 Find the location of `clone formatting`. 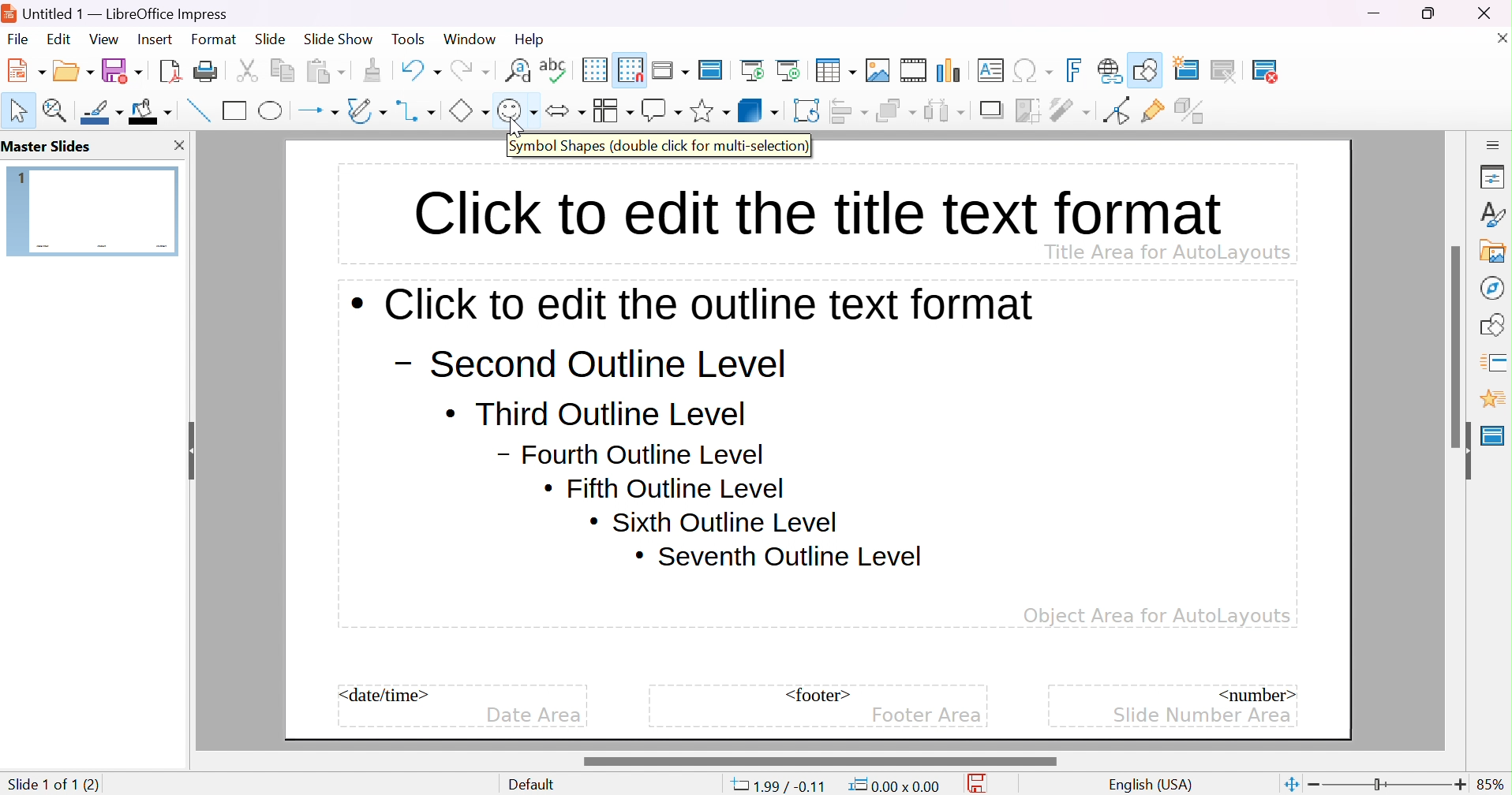

clone formatting is located at coordinates (372, 70).